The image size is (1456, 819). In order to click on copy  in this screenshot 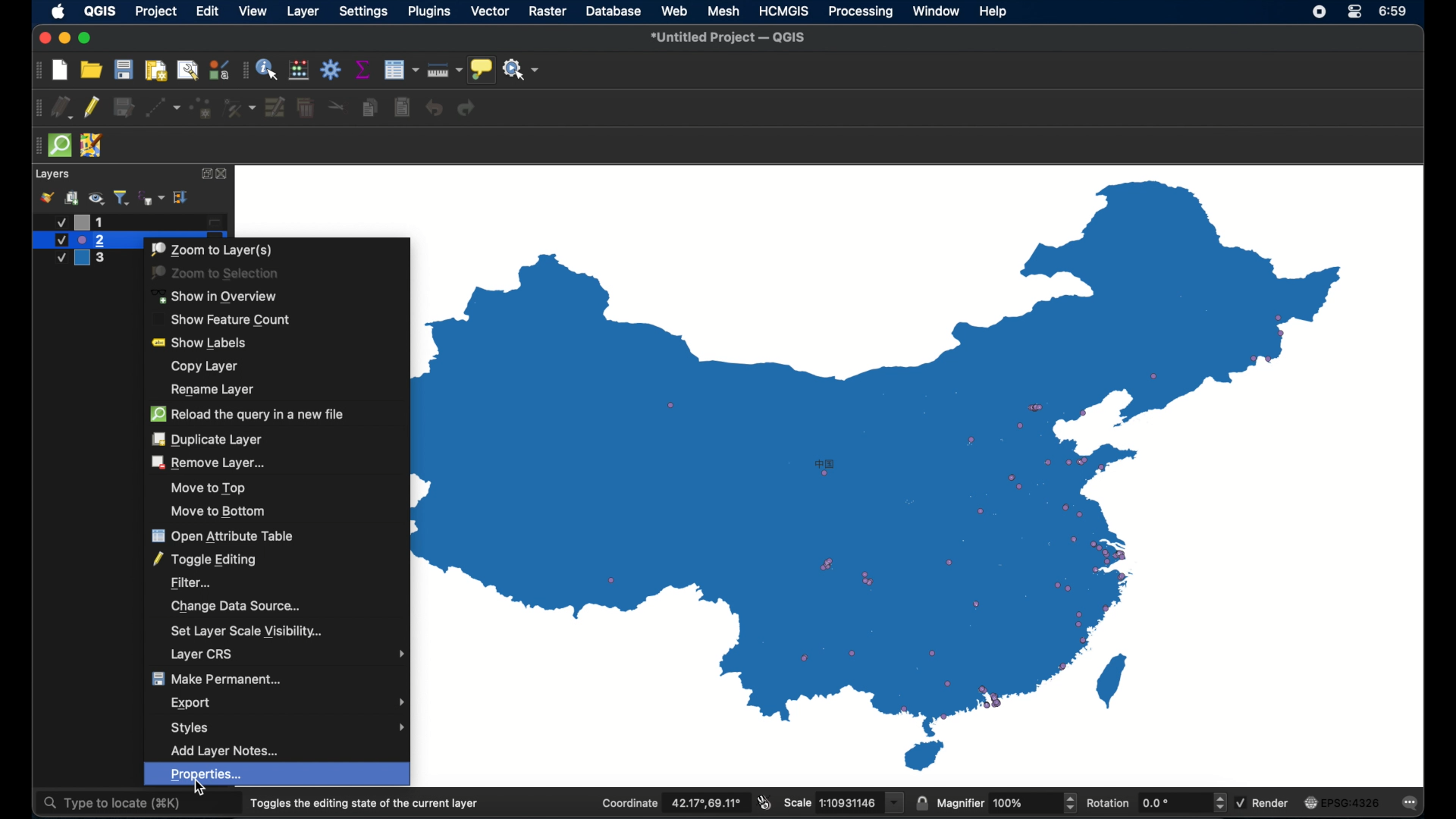, I will do `click(371, 108)`.